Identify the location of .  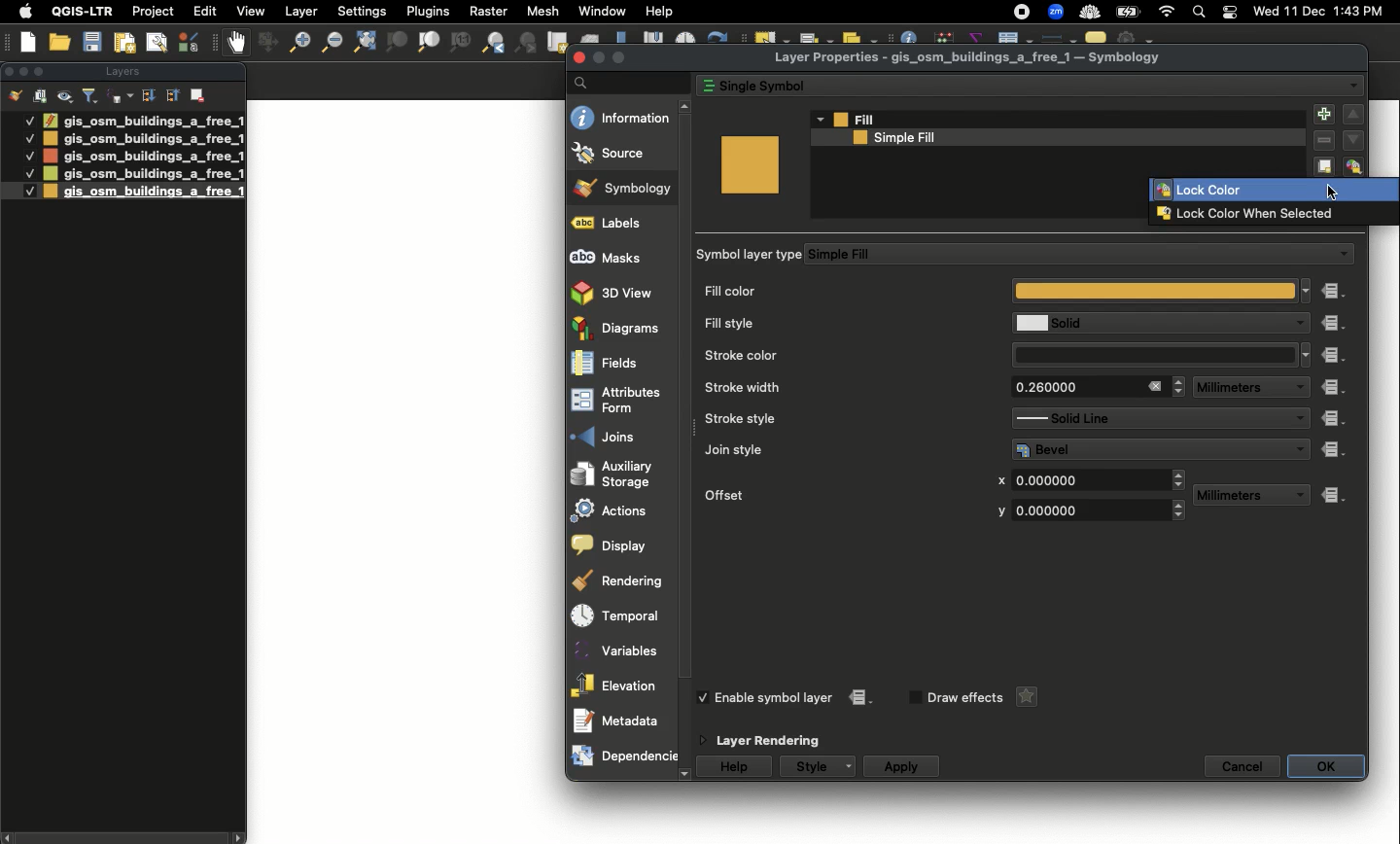
(1333, 448).